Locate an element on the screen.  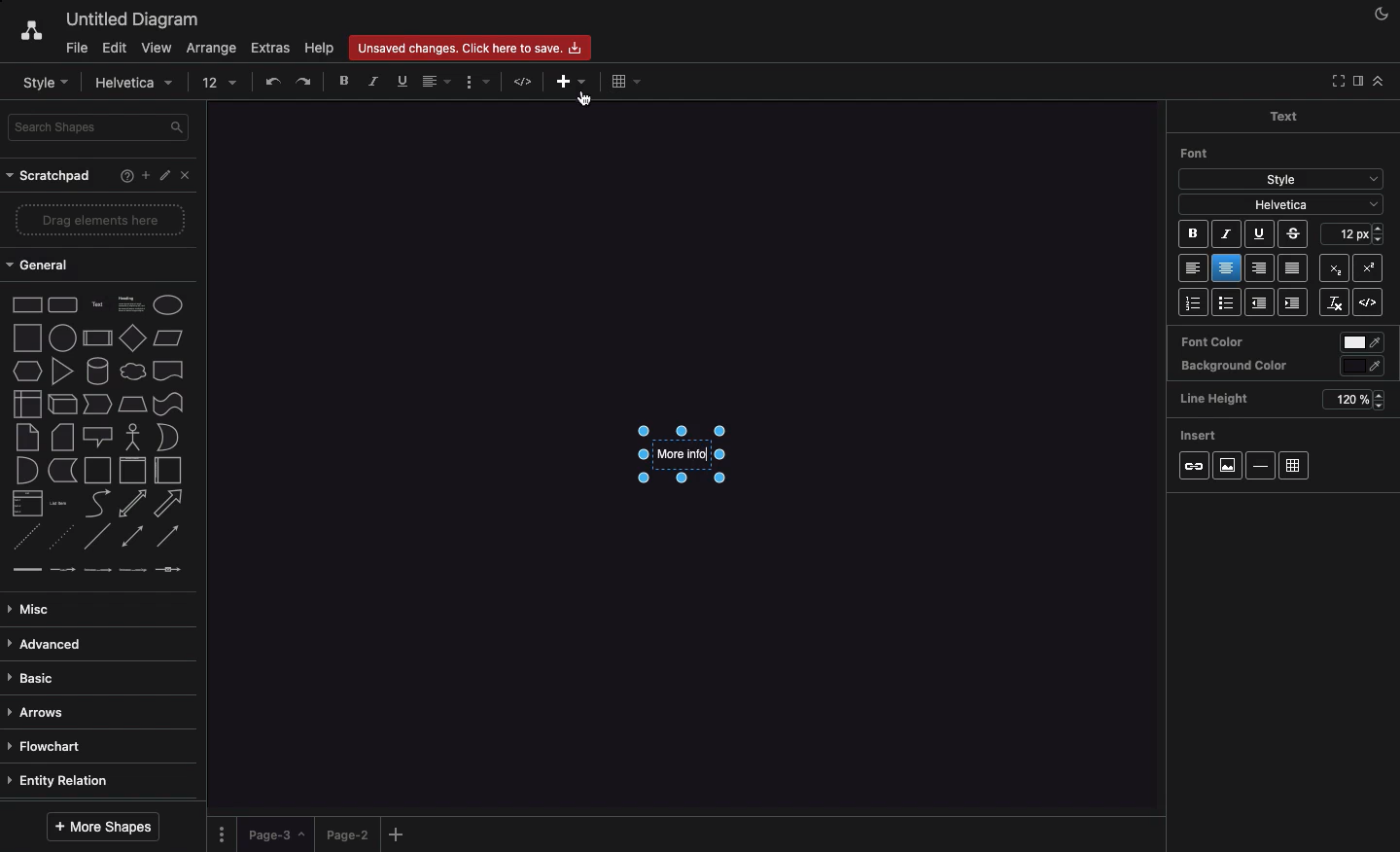
link is located at coordinates (26, 569).